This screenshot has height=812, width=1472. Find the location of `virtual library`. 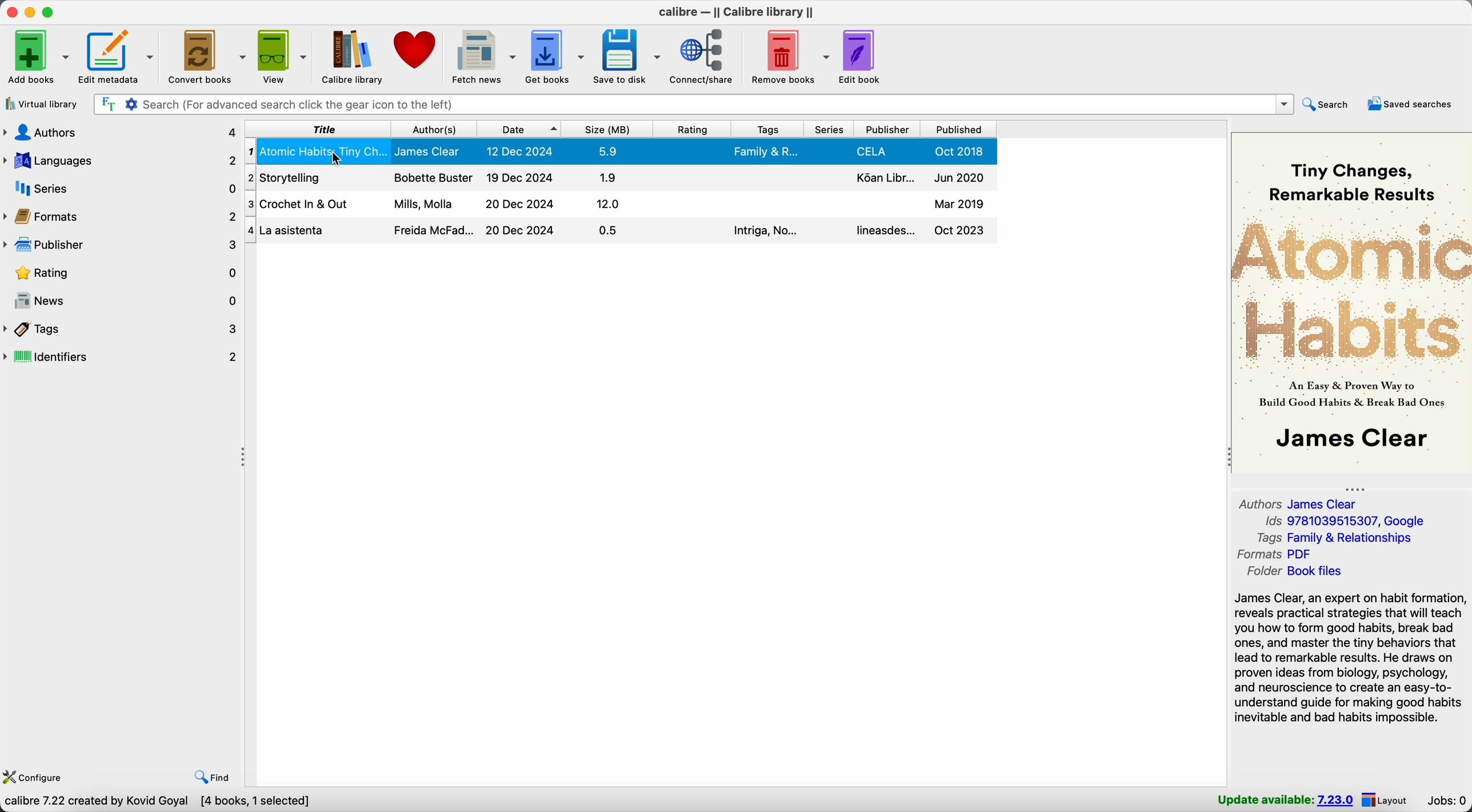

virtual library is located at coordinates (41, 105).